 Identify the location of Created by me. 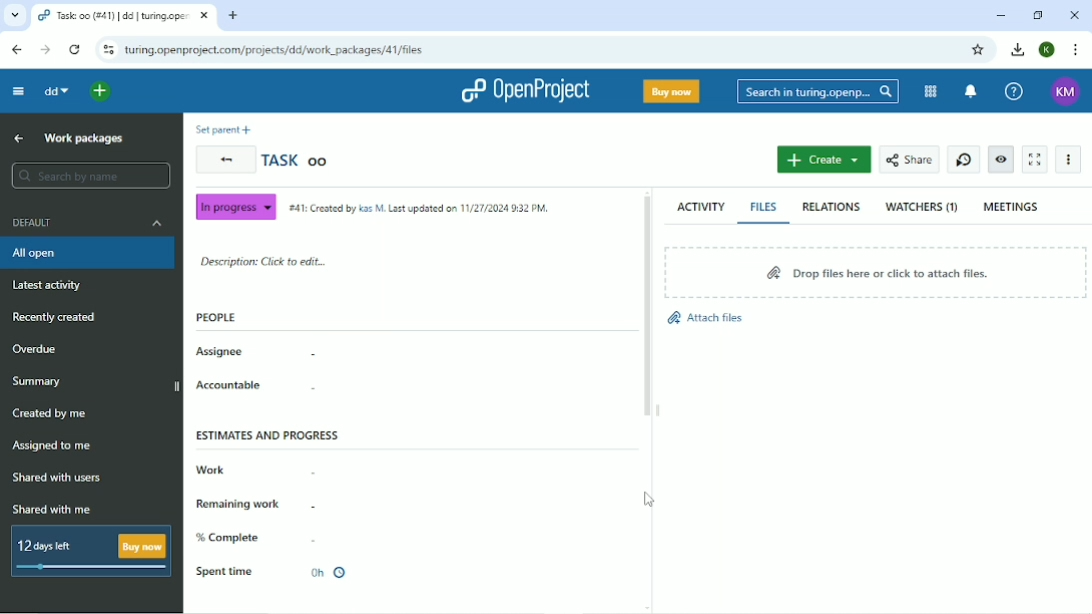
(53, 413).